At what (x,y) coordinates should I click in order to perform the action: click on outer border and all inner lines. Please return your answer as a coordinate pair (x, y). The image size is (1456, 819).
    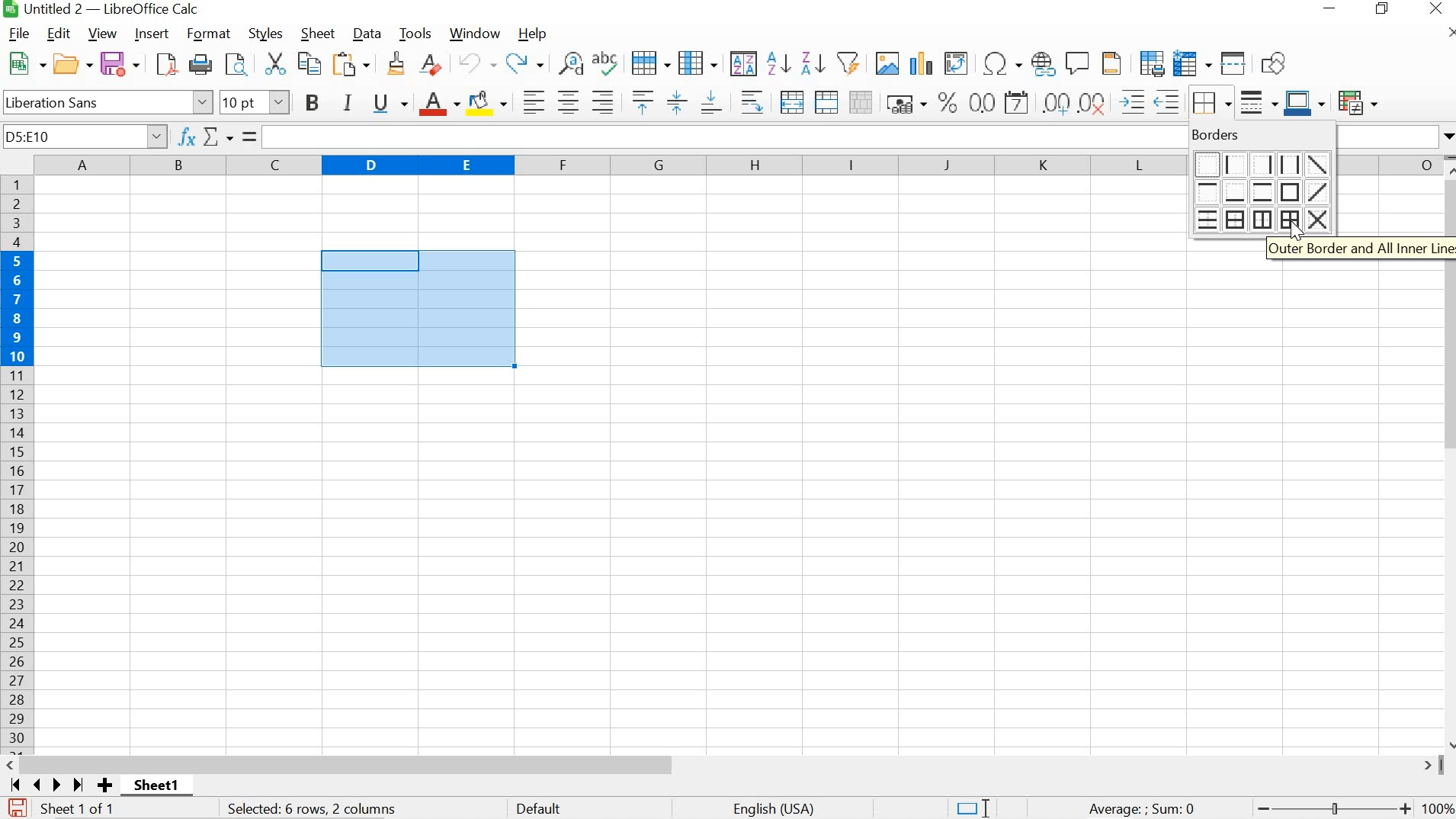
    Looking at the image, I should click on (1288, 218).